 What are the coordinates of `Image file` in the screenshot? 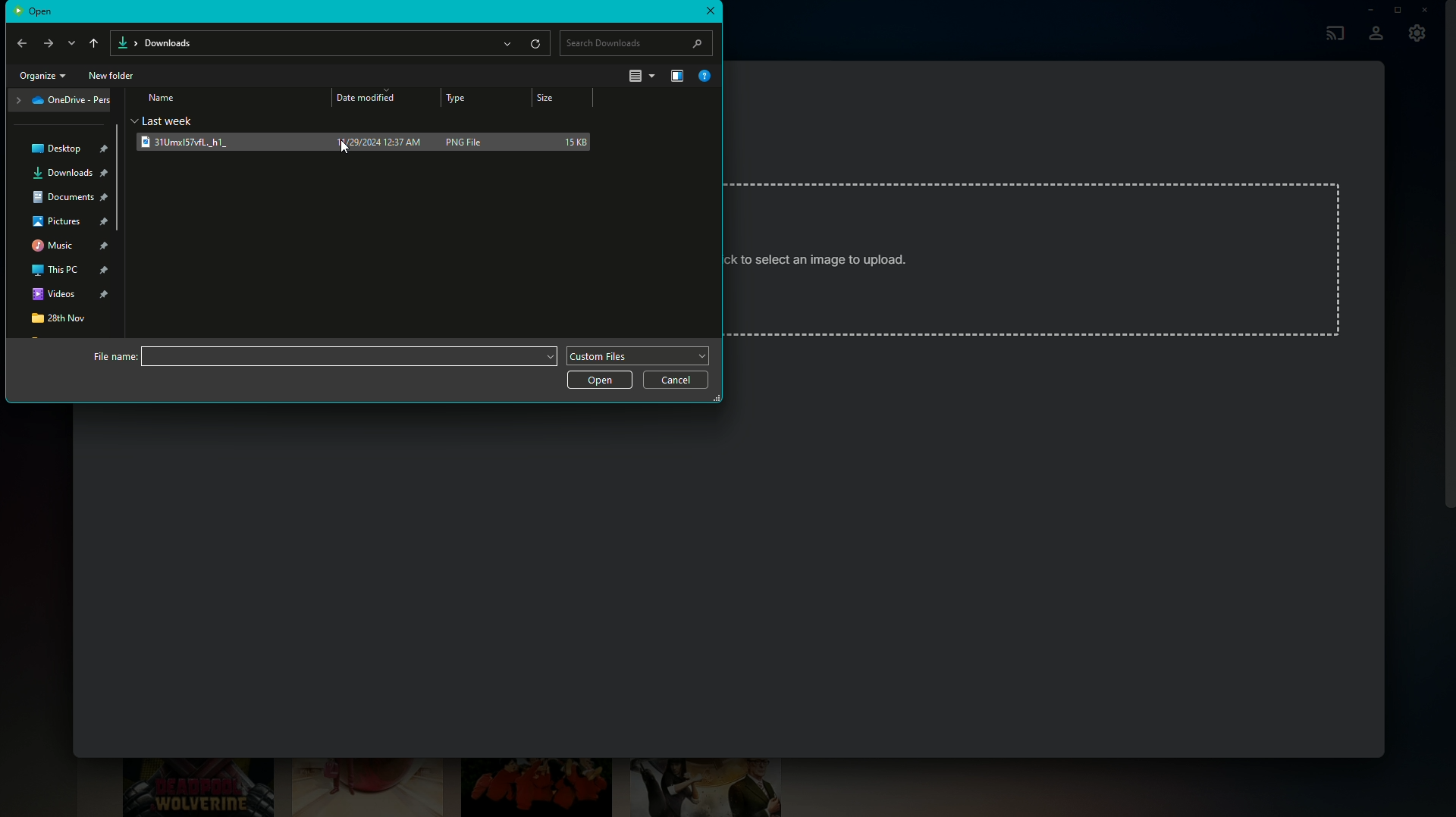 It's located at (215, 142).